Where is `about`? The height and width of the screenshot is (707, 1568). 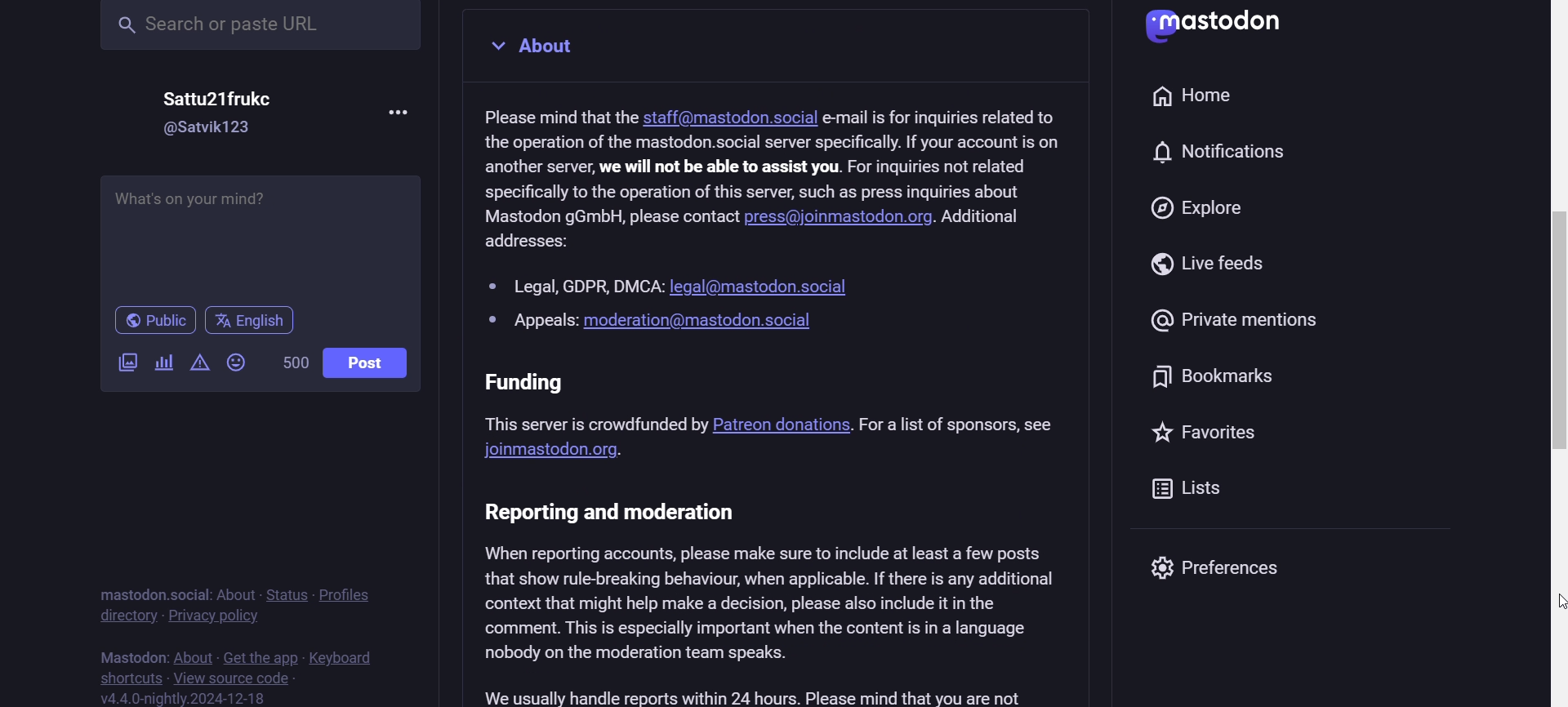 about is located at coordinates (238, 593).